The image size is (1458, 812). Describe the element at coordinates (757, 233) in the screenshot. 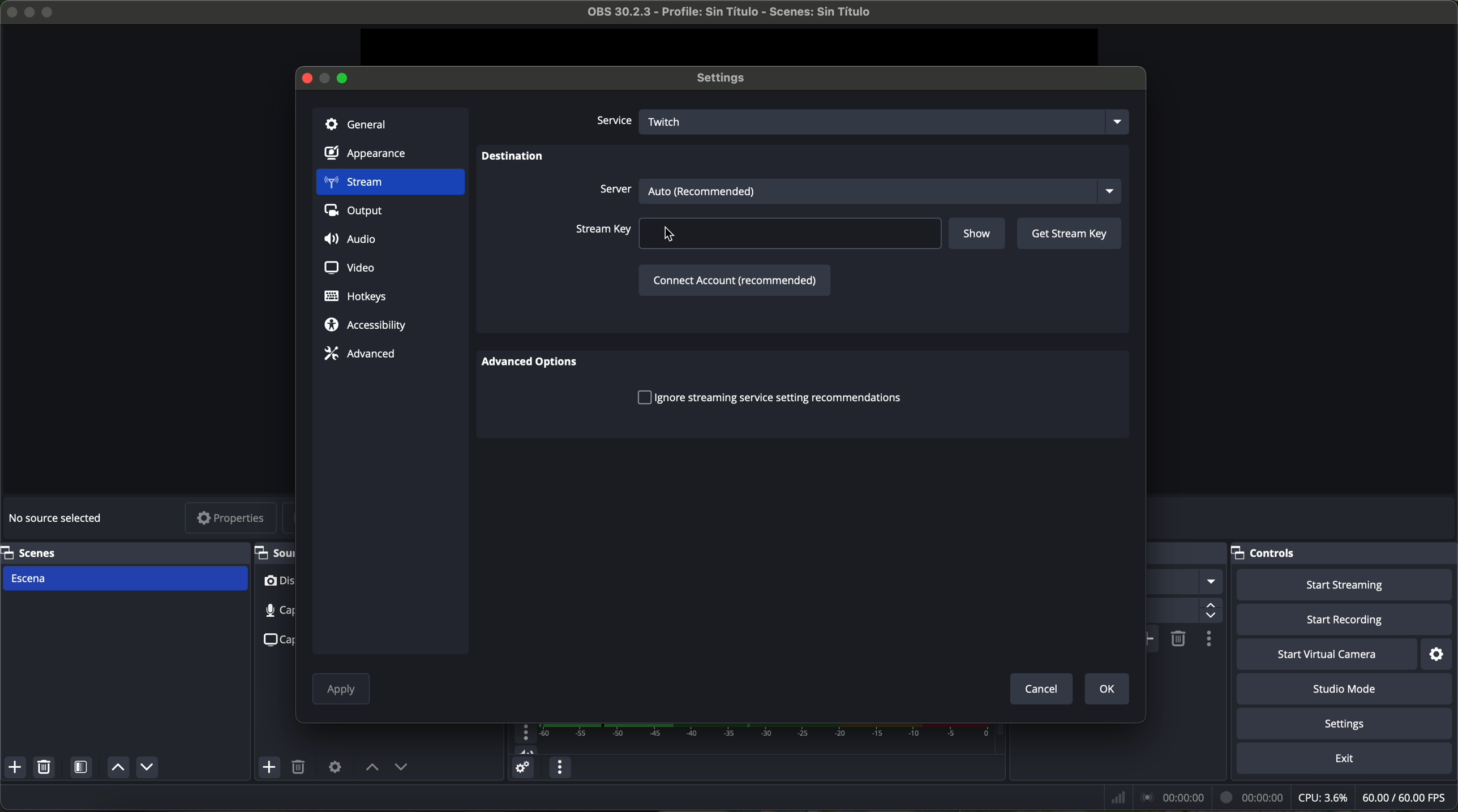

I see `stream key` at that location.